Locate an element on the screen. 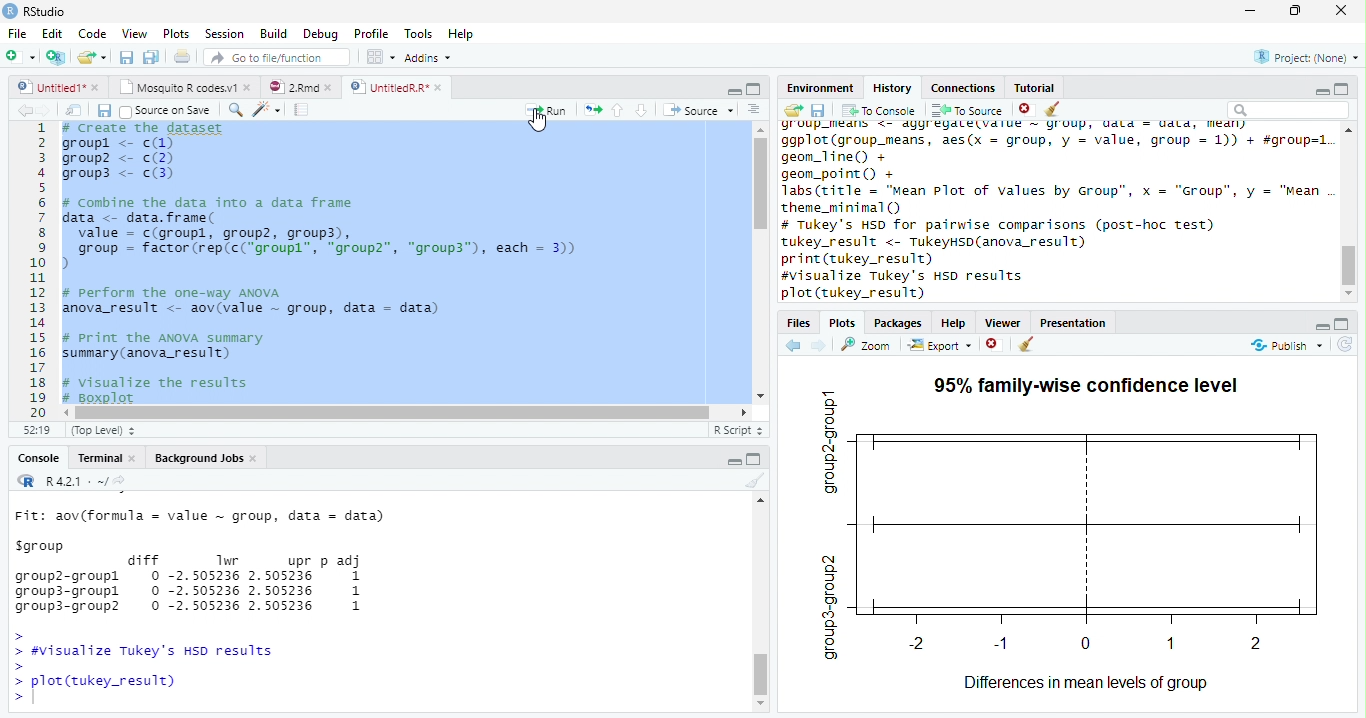  Fit: aov(formula = value ~ group, data = data)sgroupdiff Tur upr p adjgroup2-groupl 0 -2.505236 2.505236 1group3-groupl 0 -2.505236 2.505236 1group3-group2 0 -2.505236 2.505236 1> #visualize Tukey's HsD results> plot (tukey_result) is located at coordinates (215, 602).